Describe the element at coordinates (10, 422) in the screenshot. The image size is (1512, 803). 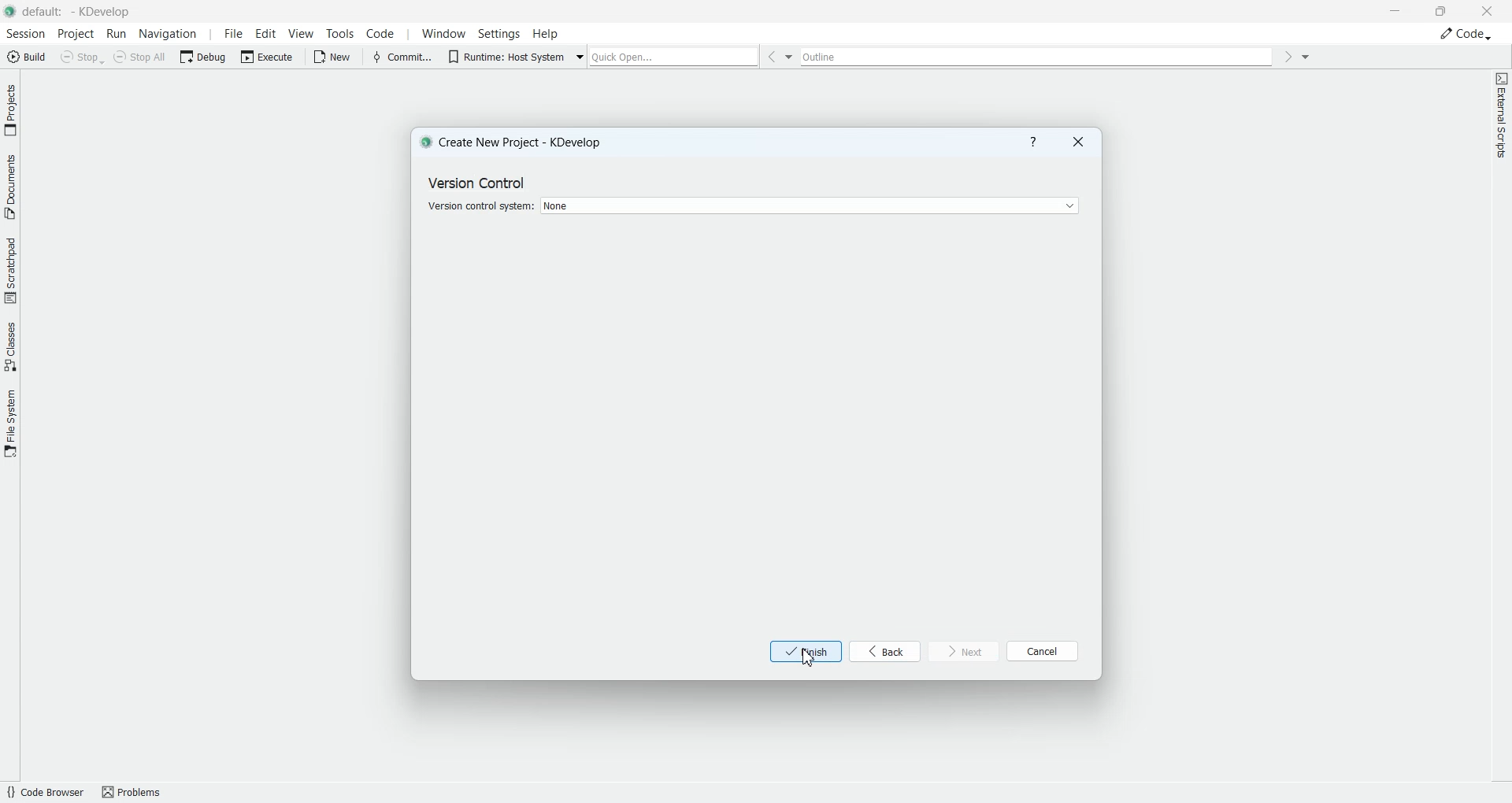
I see `File System` at that location.